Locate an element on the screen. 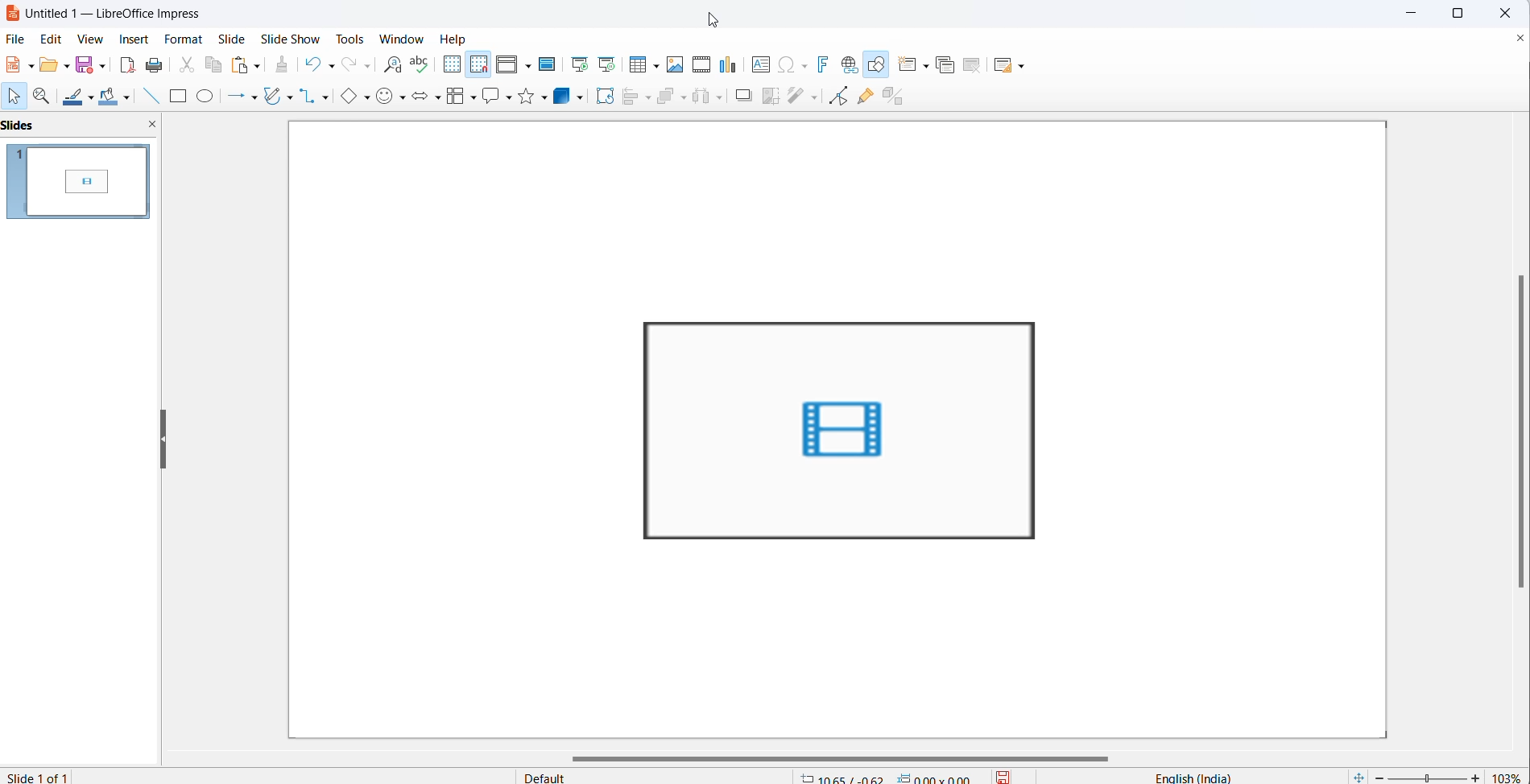 The width and height of the screenshot is (1530, 784). zoom slide is located at coordinates (1429, 777).